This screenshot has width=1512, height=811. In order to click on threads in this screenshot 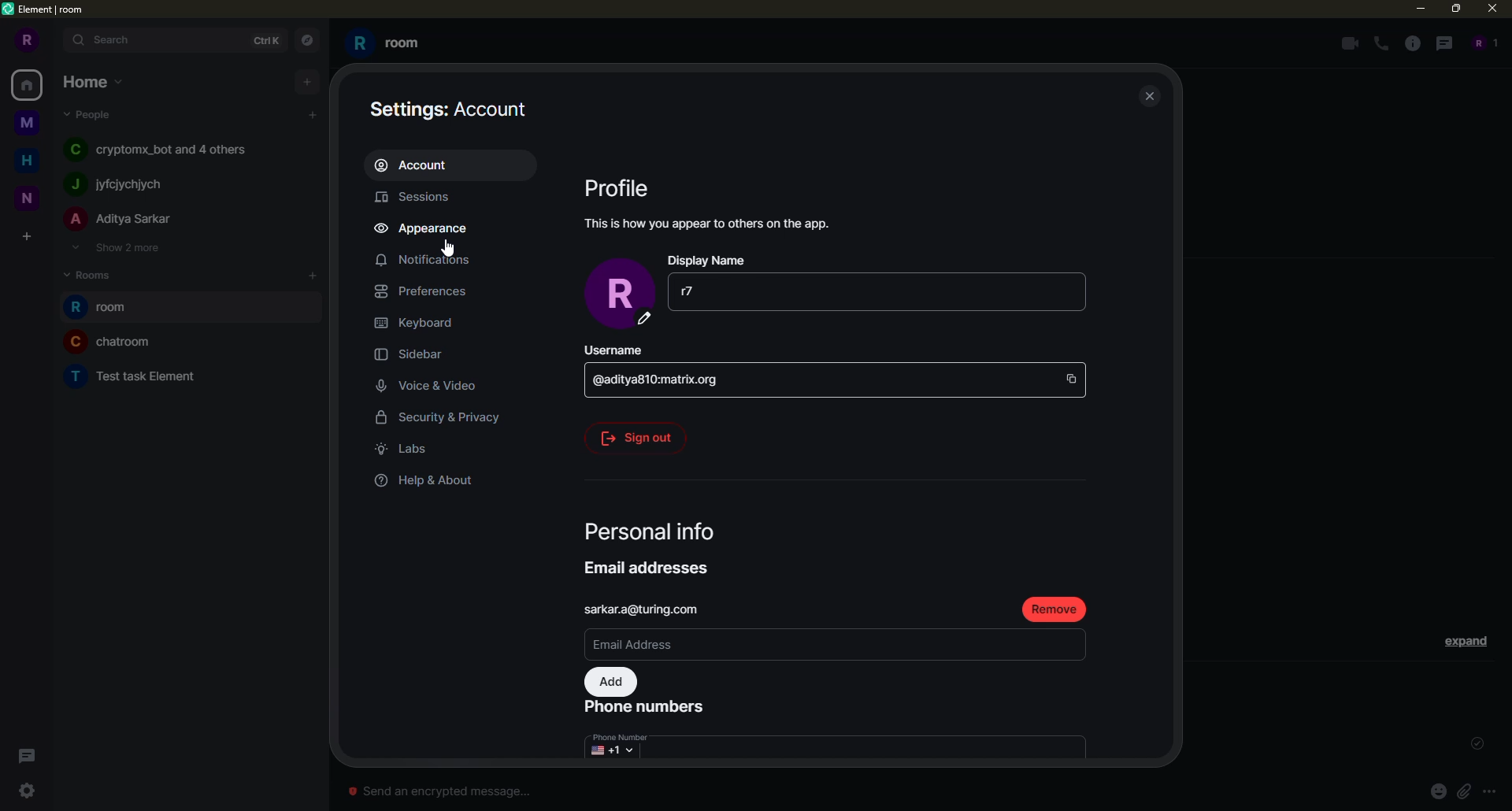, I will do `click(24, 756)`.